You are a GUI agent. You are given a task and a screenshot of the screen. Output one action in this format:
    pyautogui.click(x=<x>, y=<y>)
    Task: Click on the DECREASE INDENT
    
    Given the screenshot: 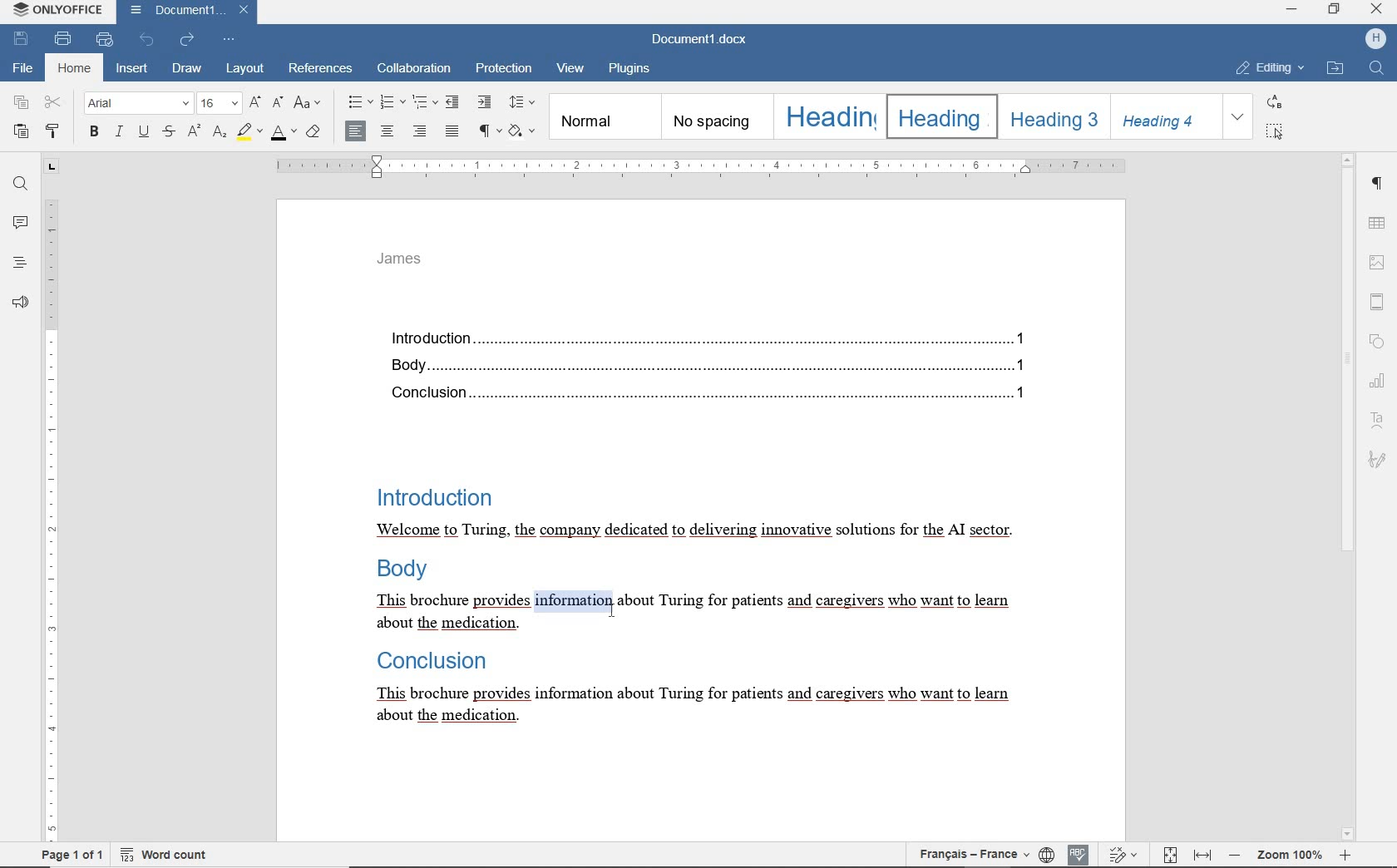 What is the action you would take?
    pyautogui.click(x=455, y=101)
    